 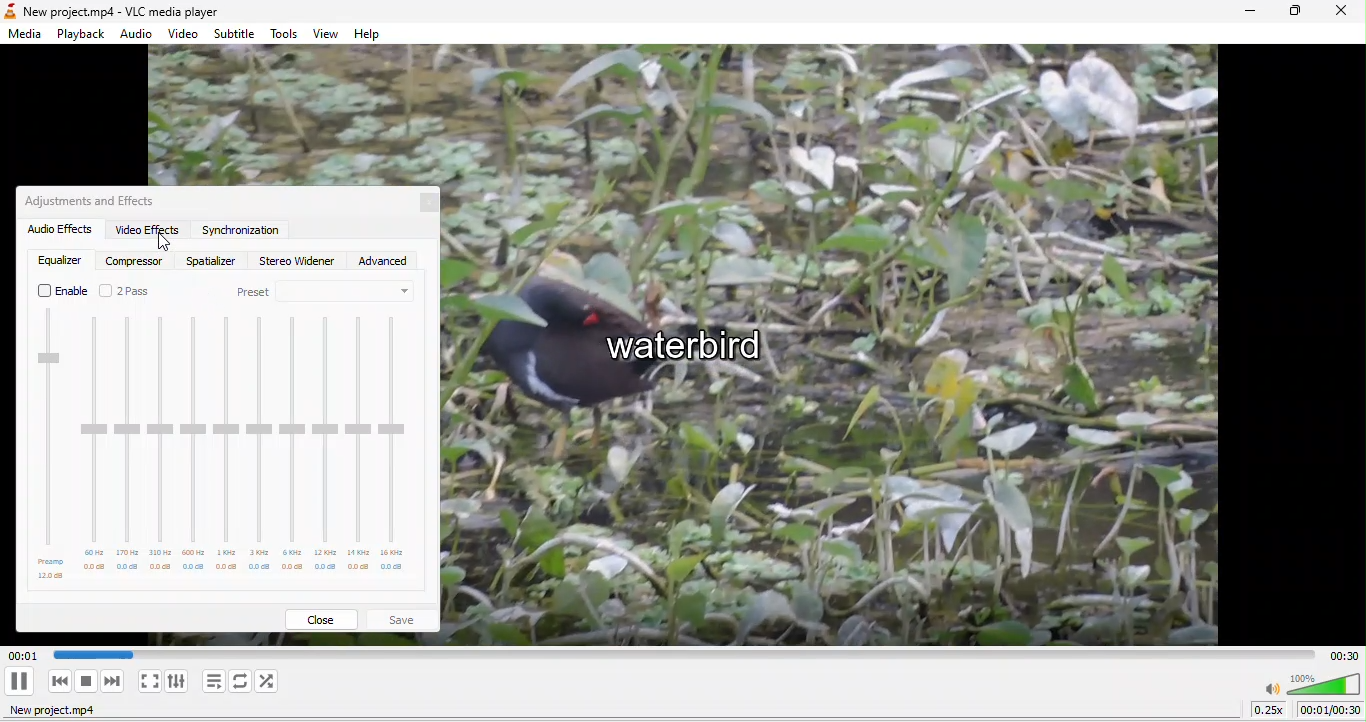 I want to click on next media, so click(x=115, y=681).